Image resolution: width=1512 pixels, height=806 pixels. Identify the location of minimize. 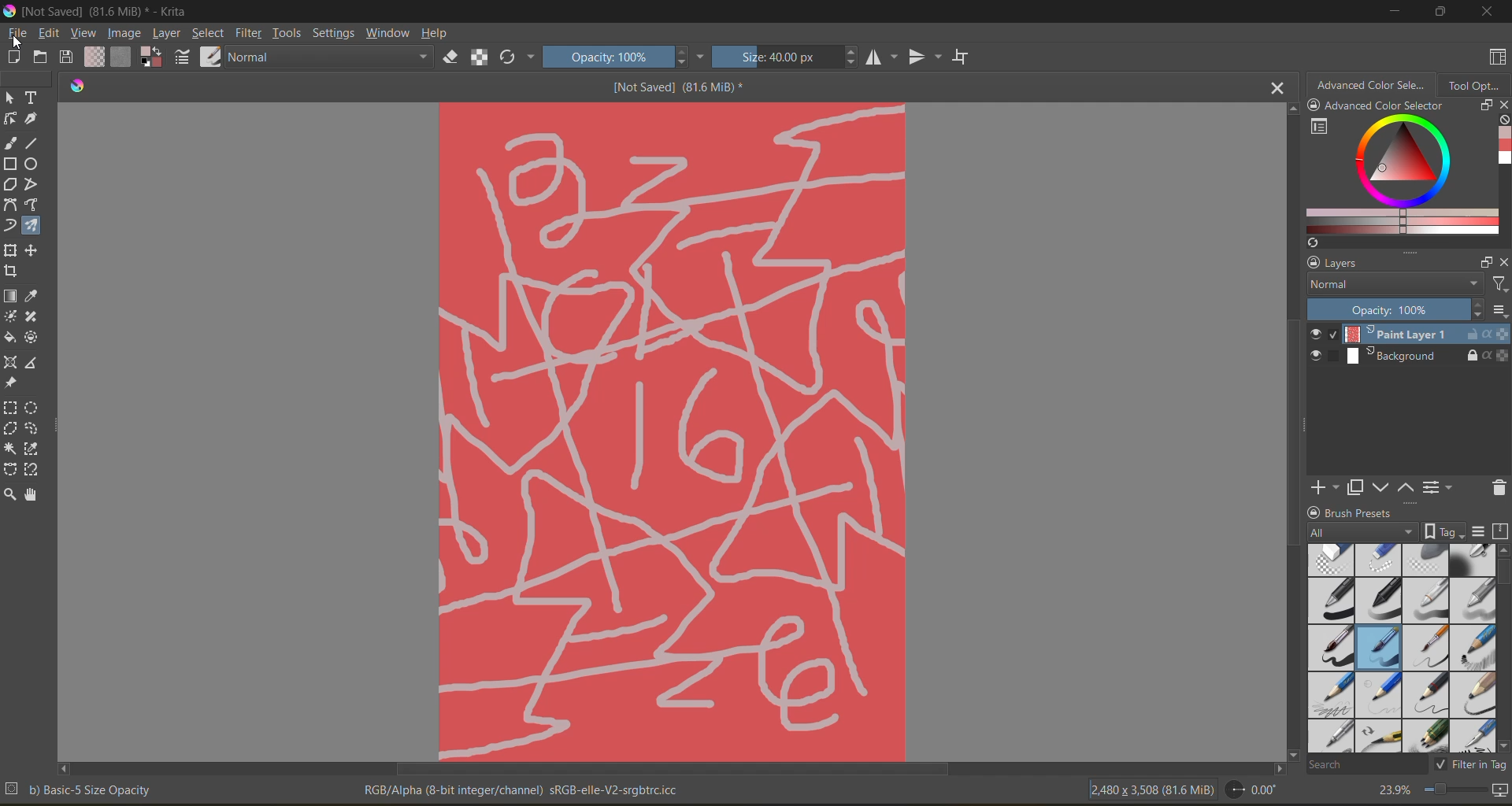
(1392, 10).